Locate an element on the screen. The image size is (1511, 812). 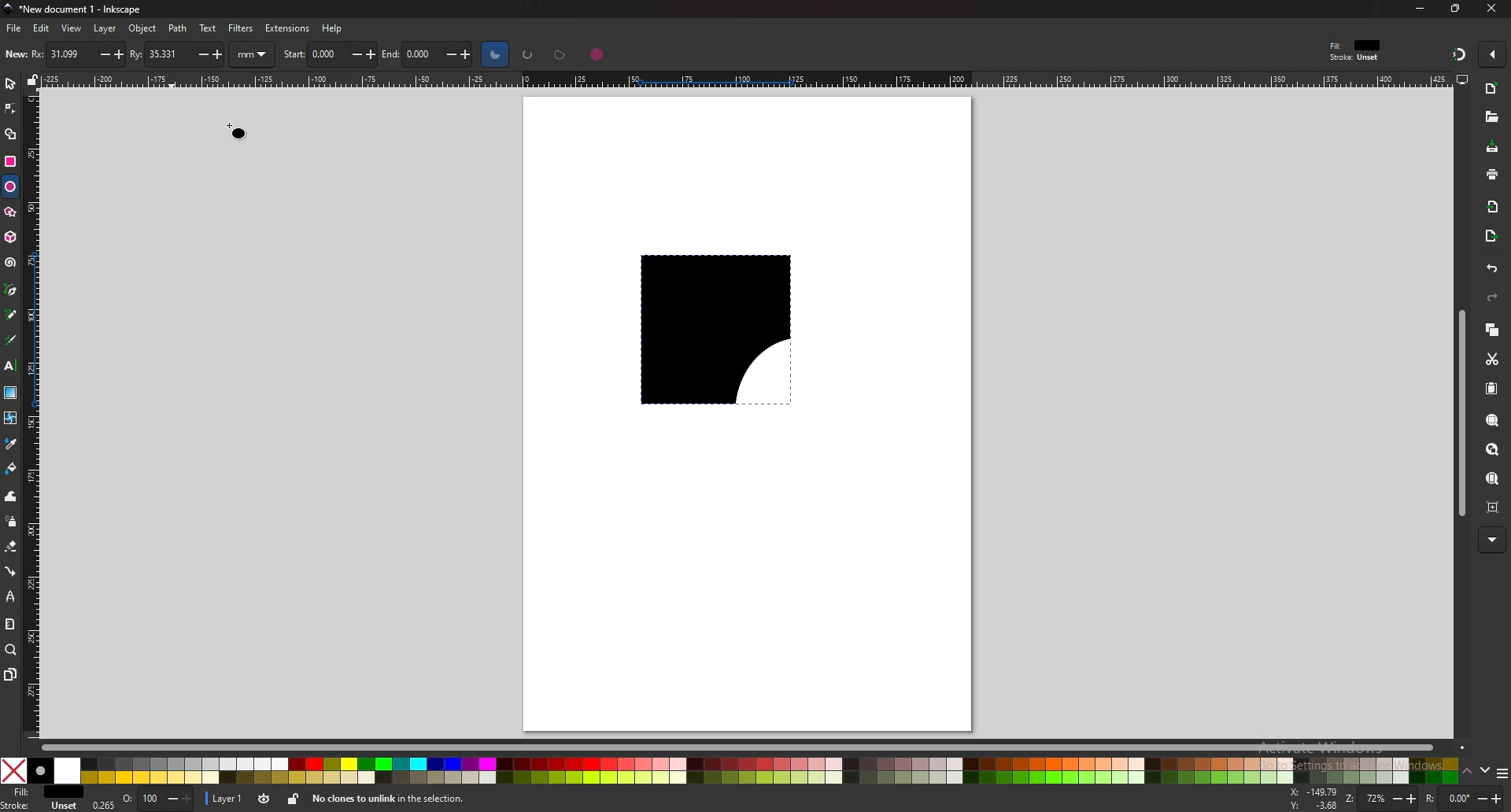
zoom drawing is located at coordinates (1494, 448).